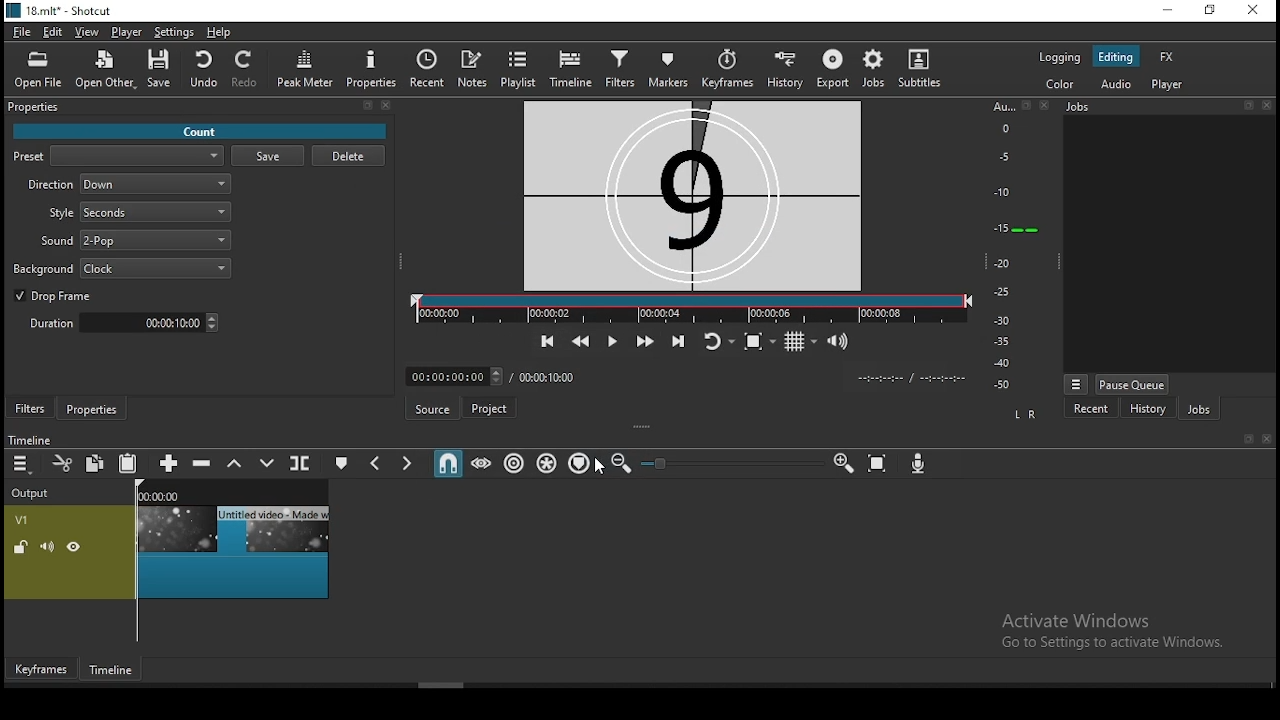 The height and width of the screenshot is (720, 1280). Describe the element at coordinates (177, 32) in the screenshot. I see `settings` at that location.